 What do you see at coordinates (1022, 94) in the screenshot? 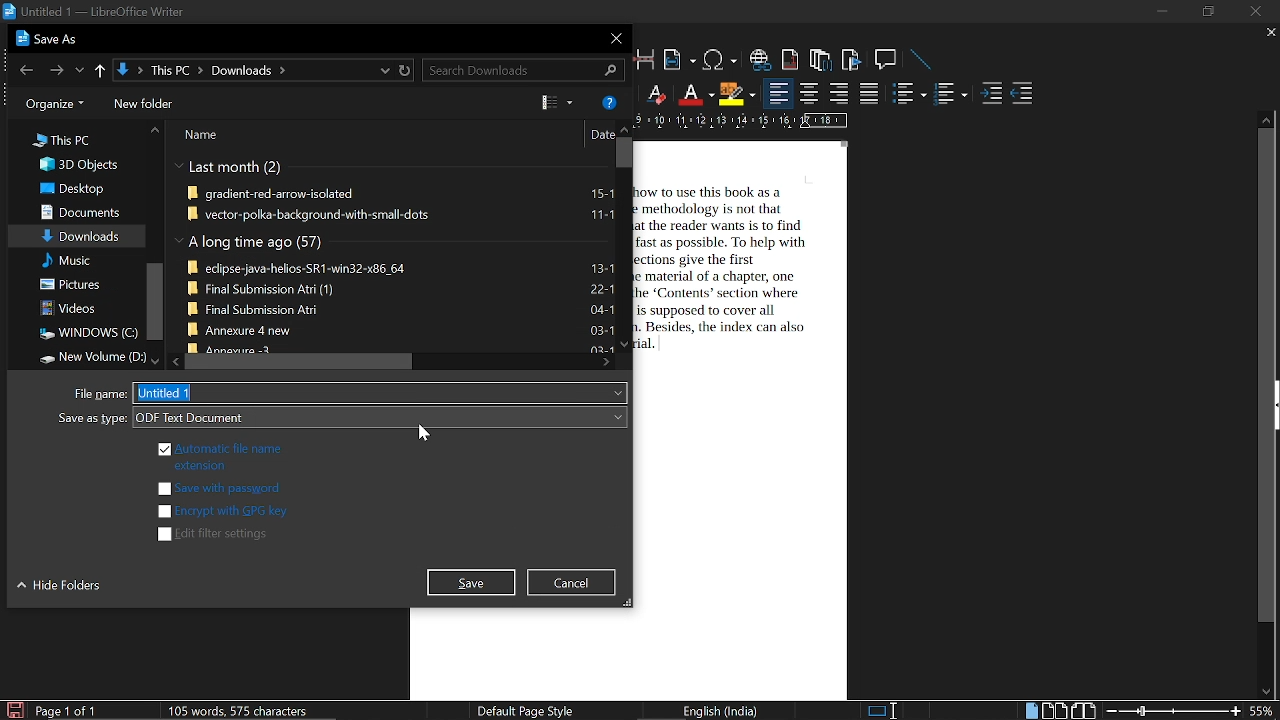
I see `decrease indent` at bounding box center [1022, 94].